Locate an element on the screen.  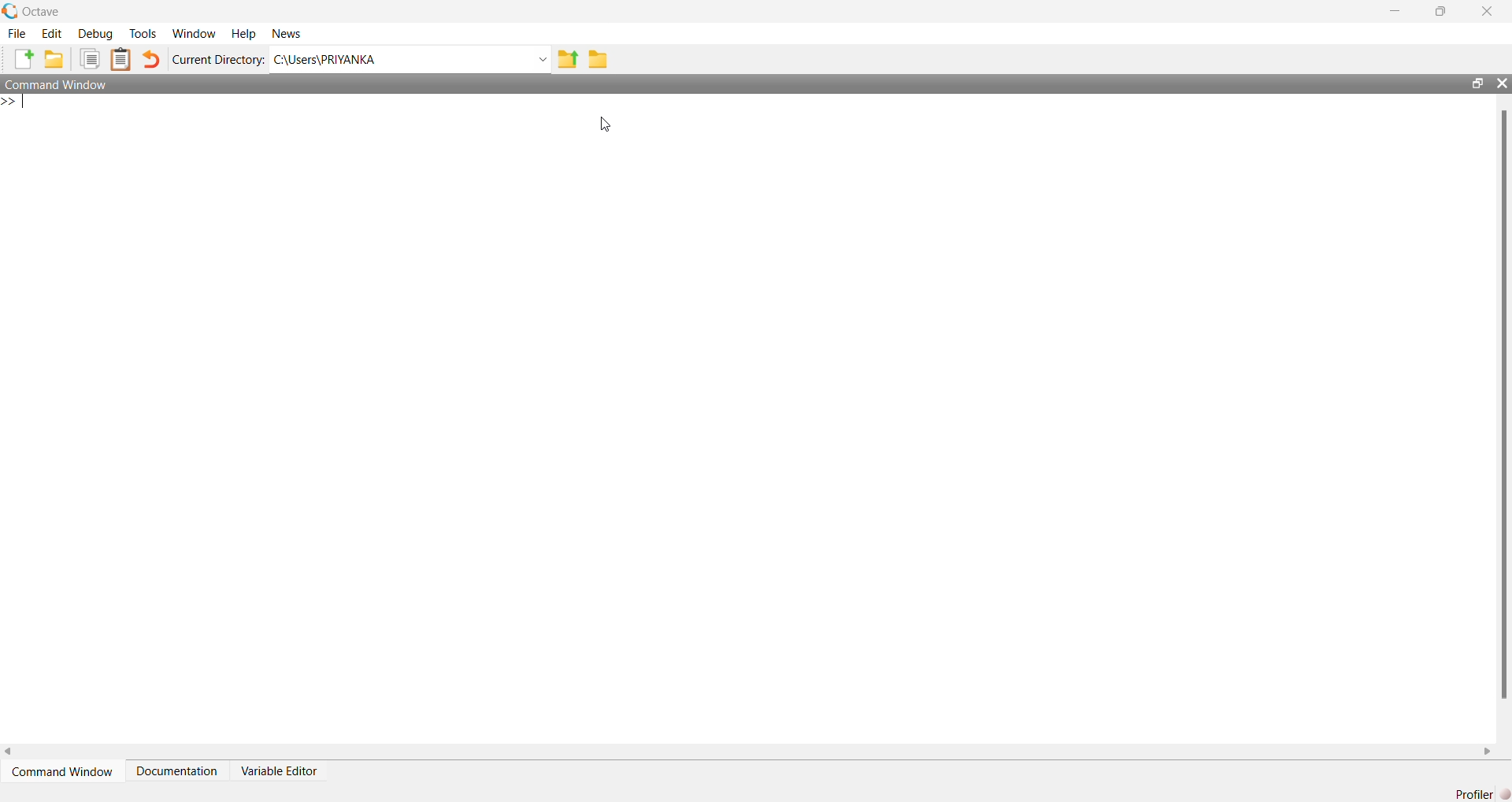
>> is located at coordinates (14, 102).